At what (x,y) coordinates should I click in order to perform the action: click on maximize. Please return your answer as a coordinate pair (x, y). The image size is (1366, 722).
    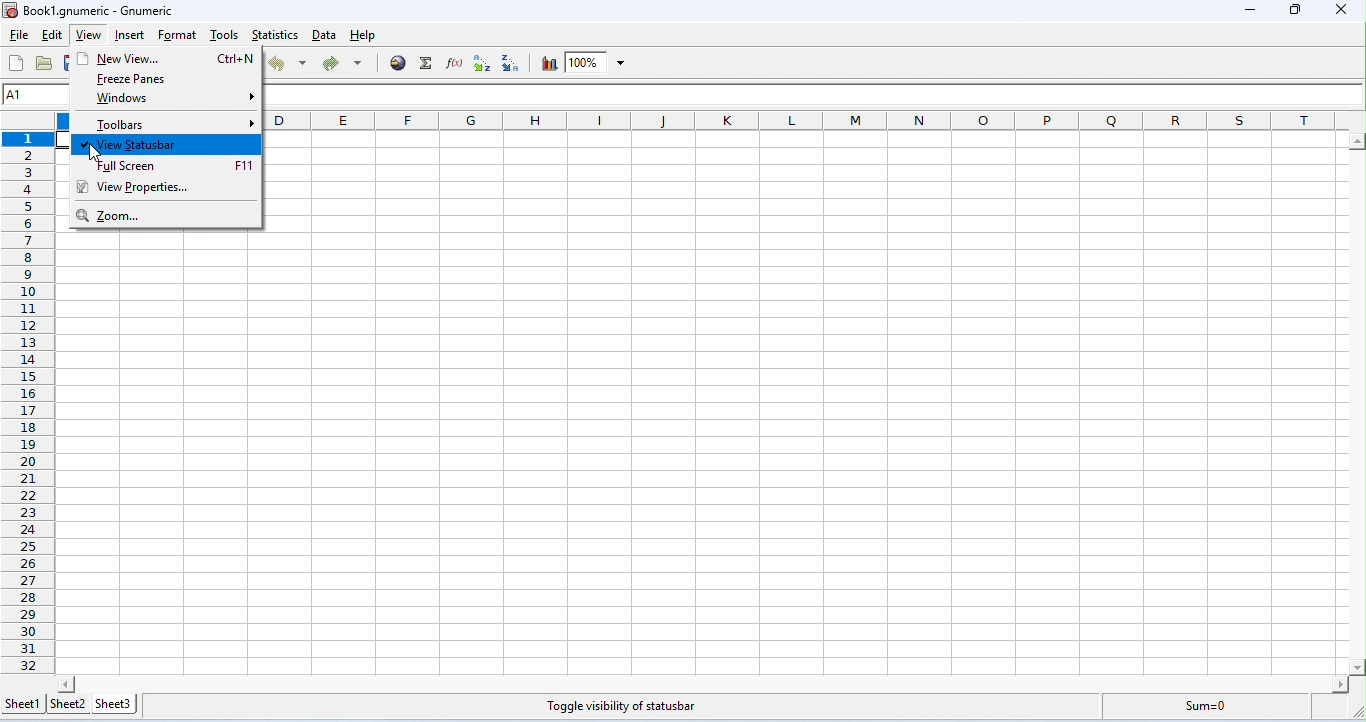
    Looking at the image, I should click on (1293, 10).